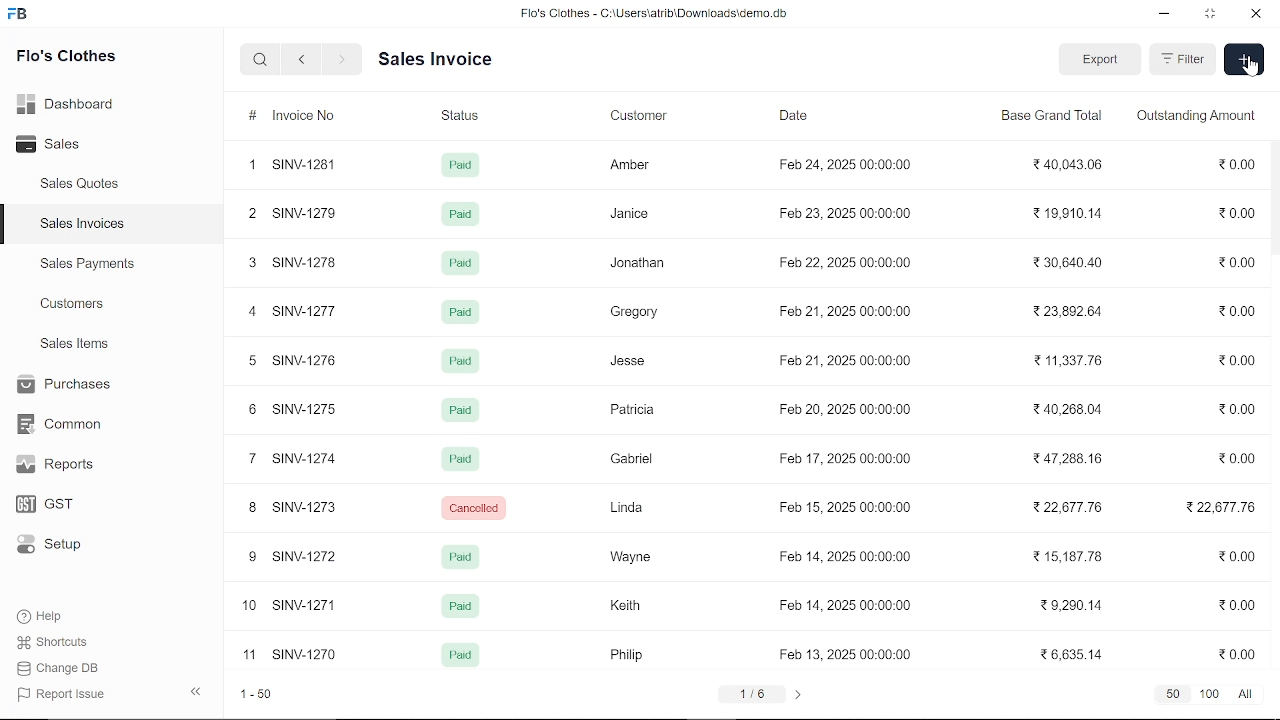  Describe the element at coordinates (303, 60) in the screenshot. I see `previous` at that location.